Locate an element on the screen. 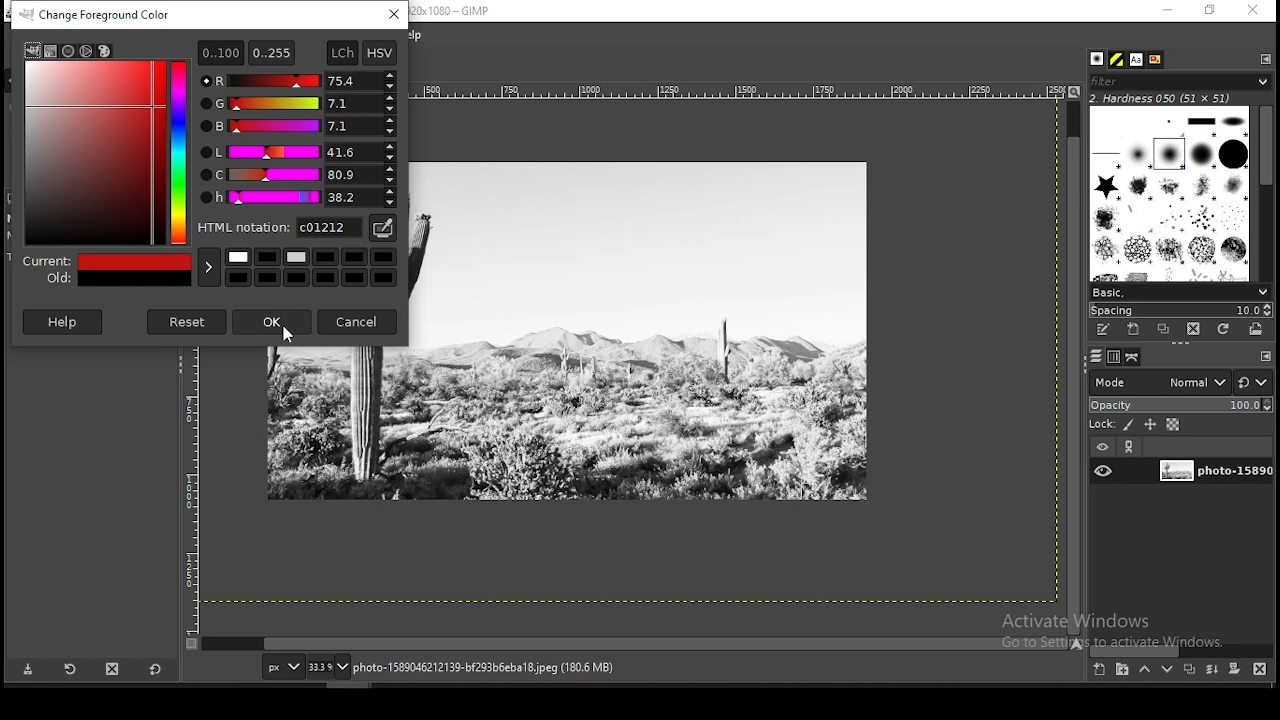 Image resolution: width=1280 pixels, height=720 pixels. 0..100 is located at coordinates (220, 53).